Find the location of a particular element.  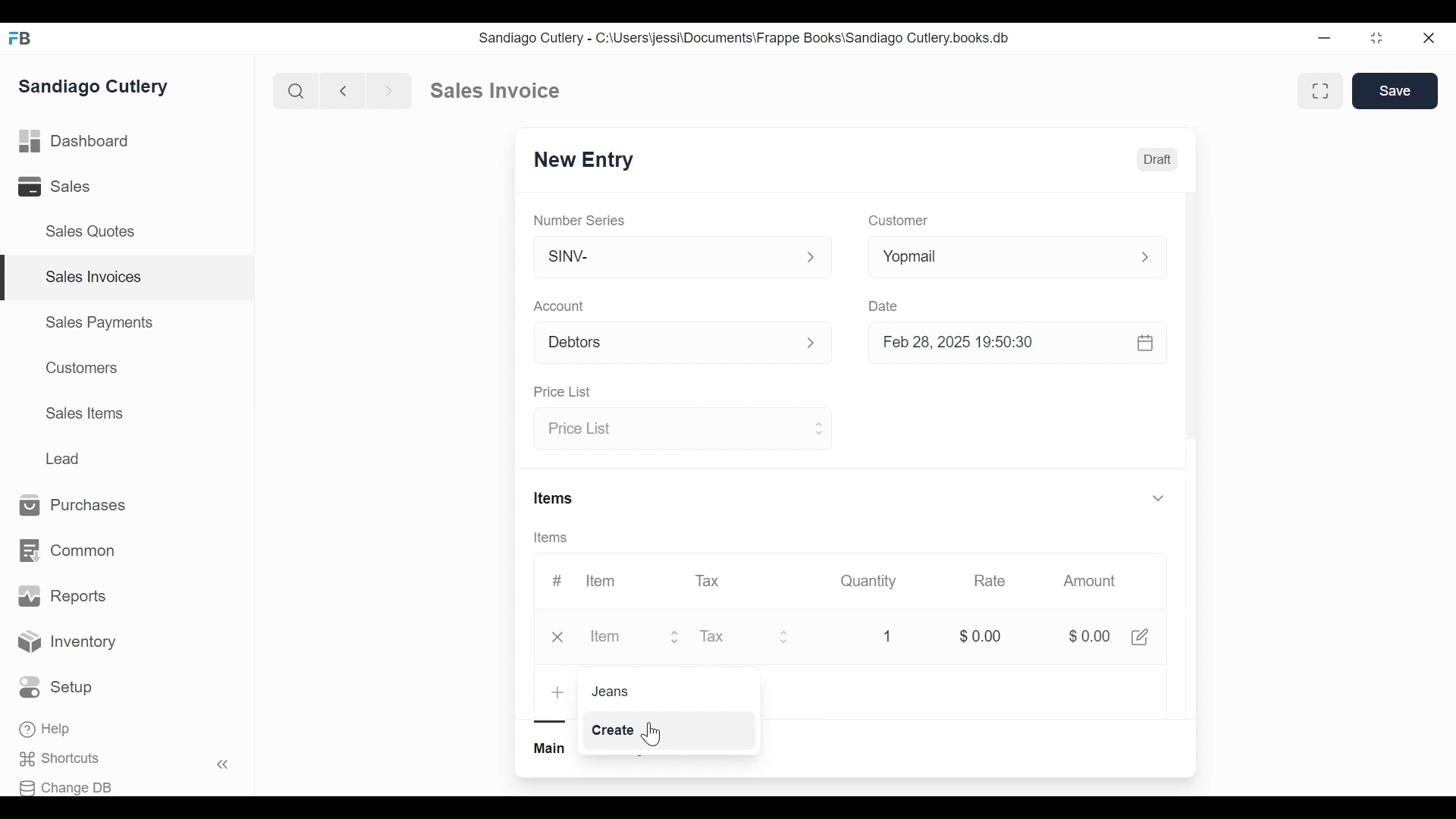

fullscreen is located at coordinates (1323, 90).